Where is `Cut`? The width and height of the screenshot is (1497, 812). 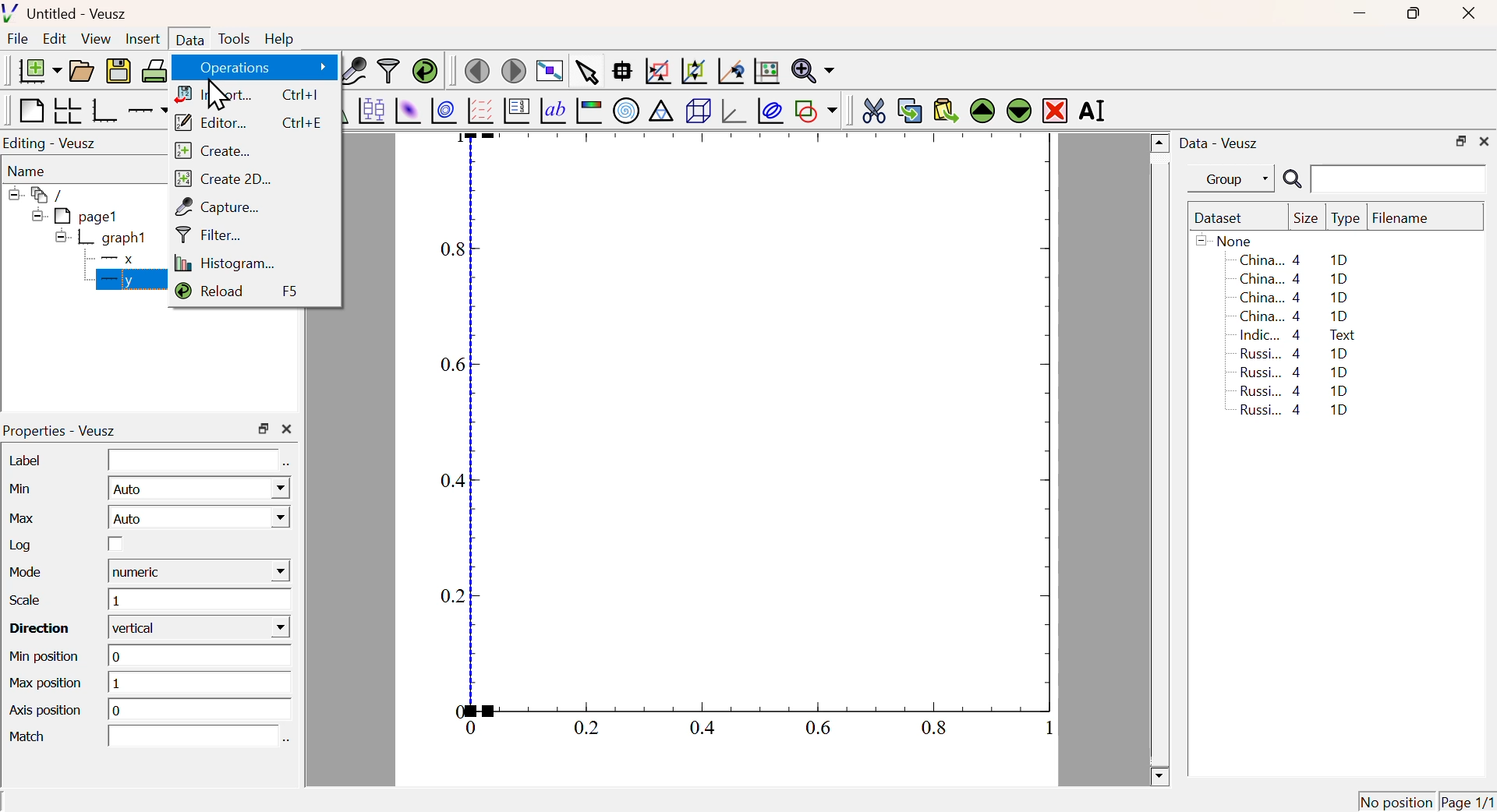
Cut is located at coordinates (873, 109).